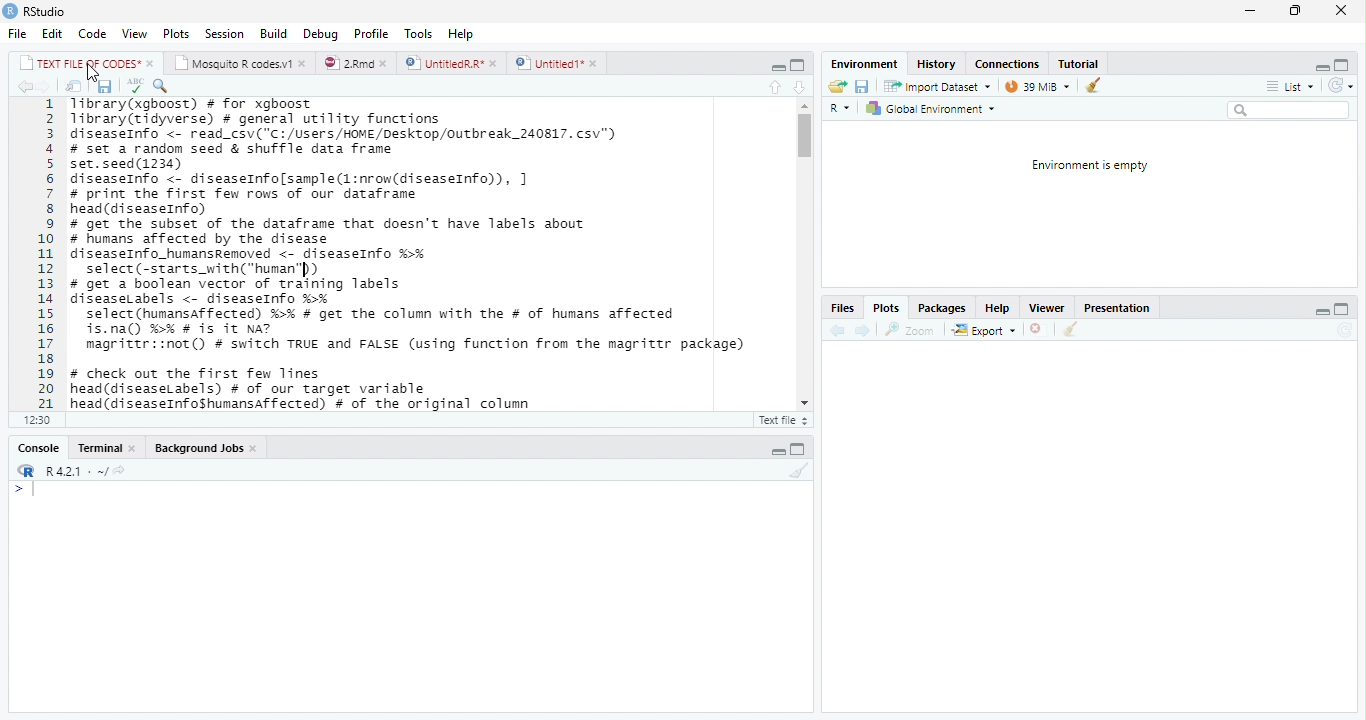 The image size is (1366, 720). What do you see at coordinates (936, 85) in the screenshot?
I see `Import dataset` at bounding box center [936, 85].